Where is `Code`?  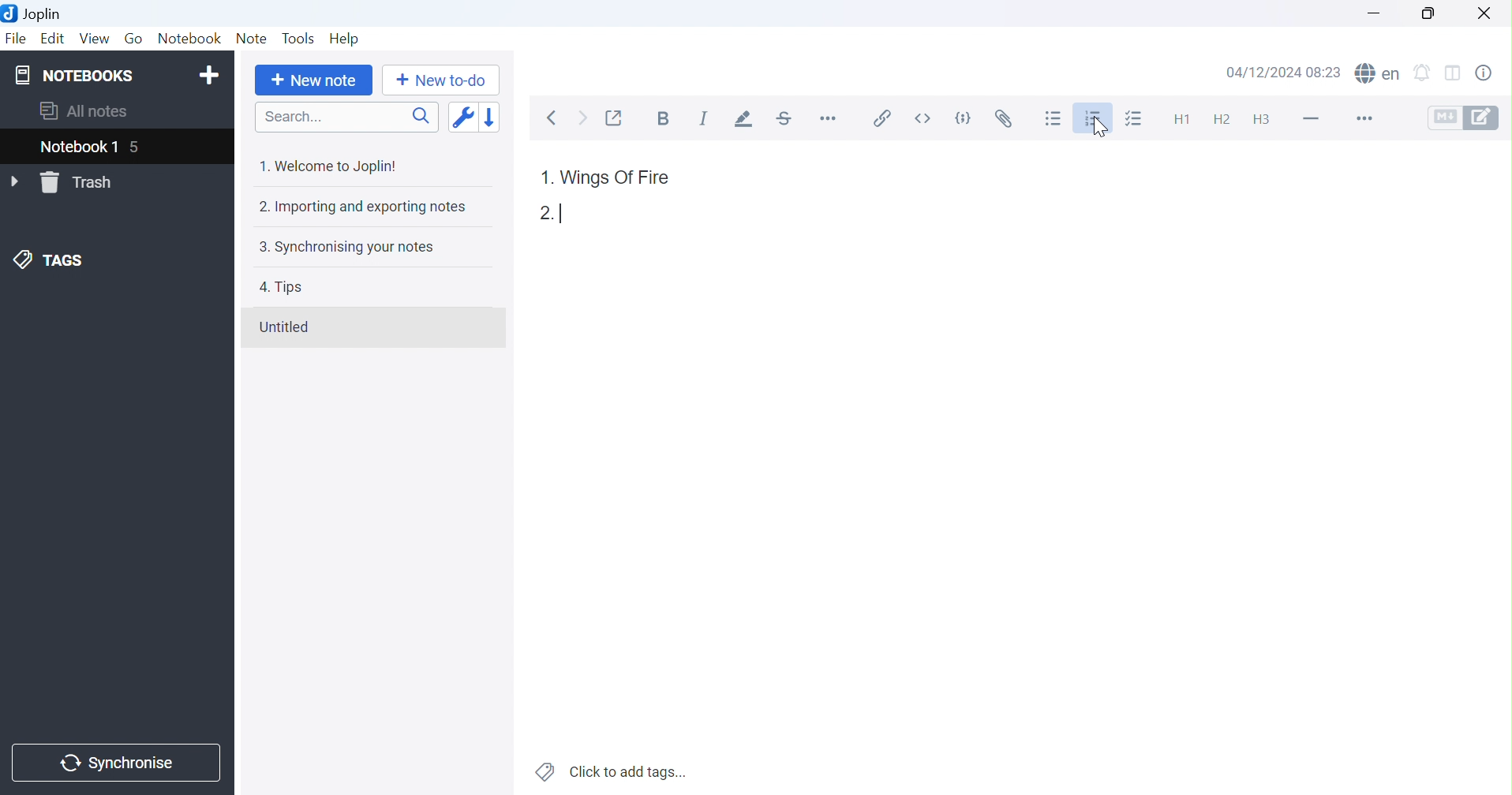
Code is located at coordinates (963, 121).